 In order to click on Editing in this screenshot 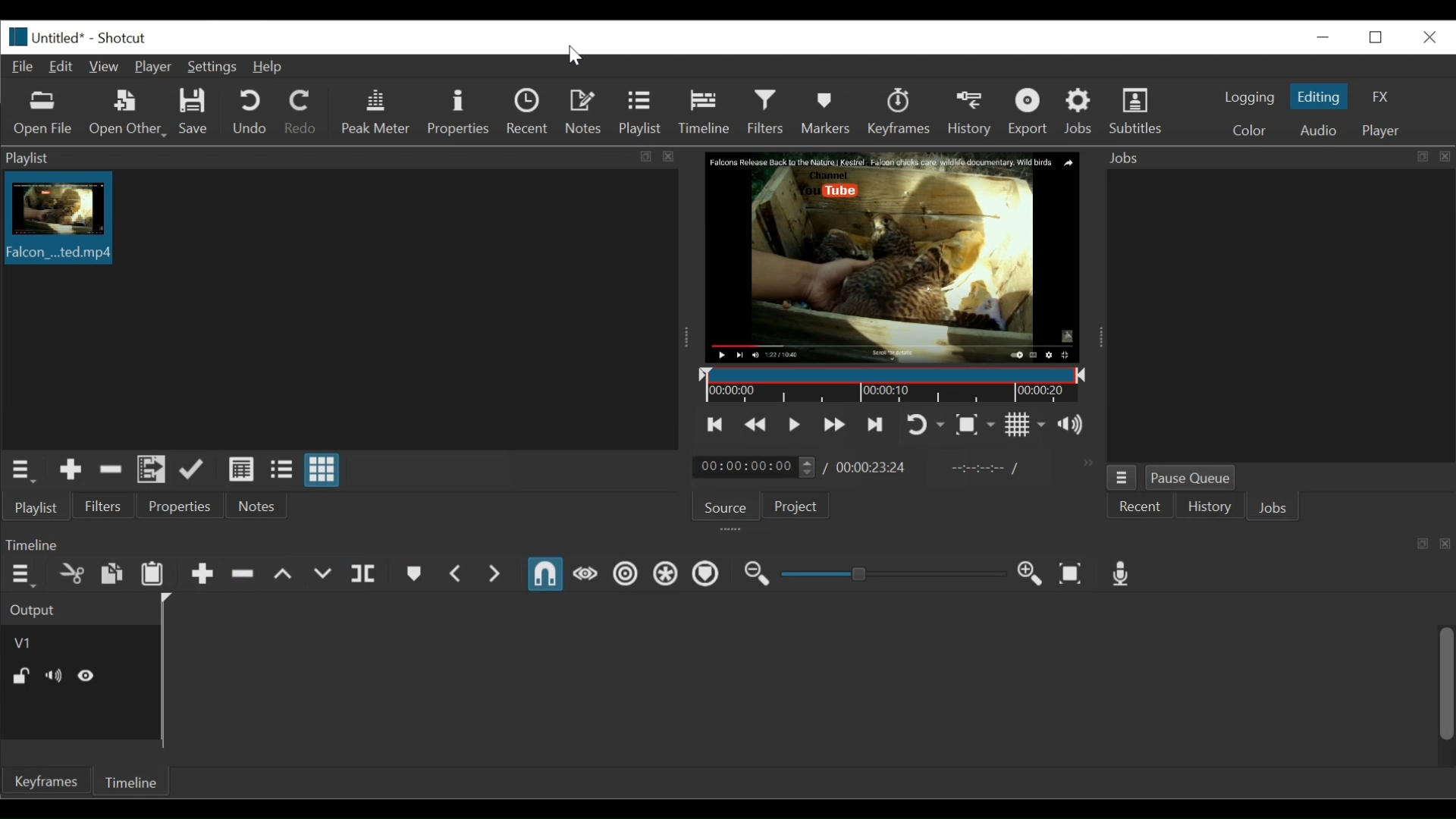, I will do `click(1317, 96)`.